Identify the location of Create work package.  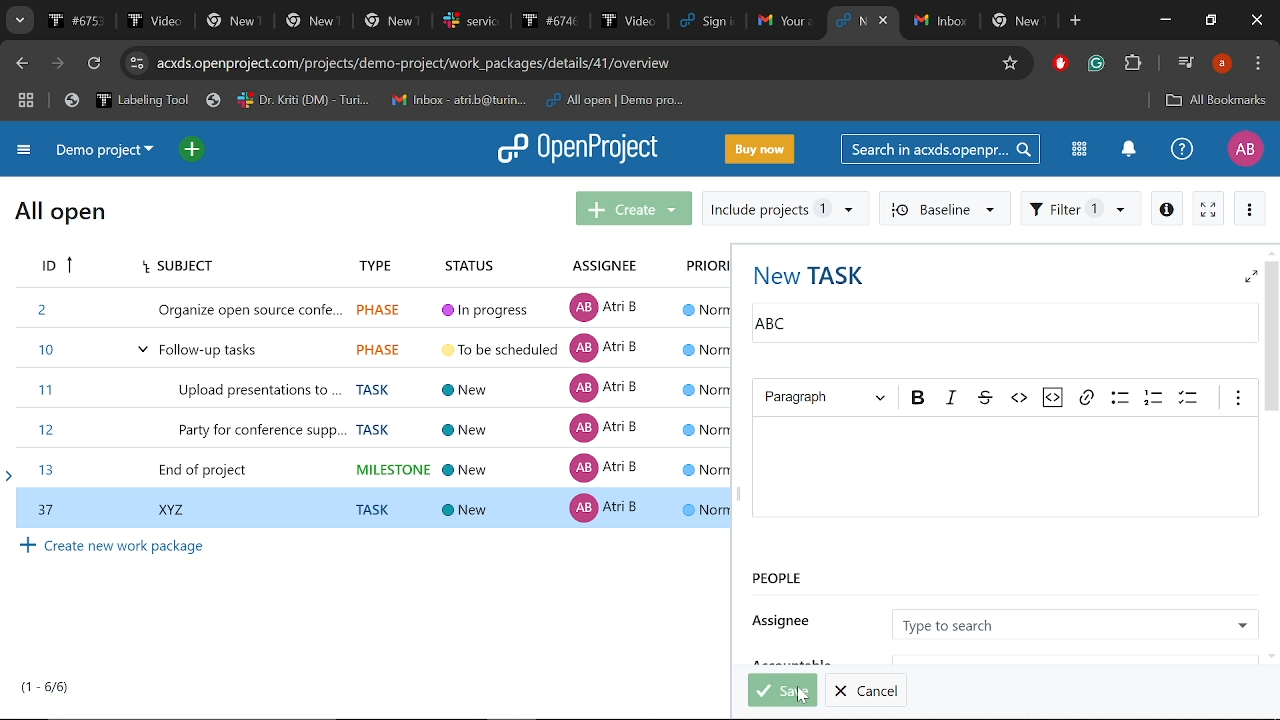
(114, 546).